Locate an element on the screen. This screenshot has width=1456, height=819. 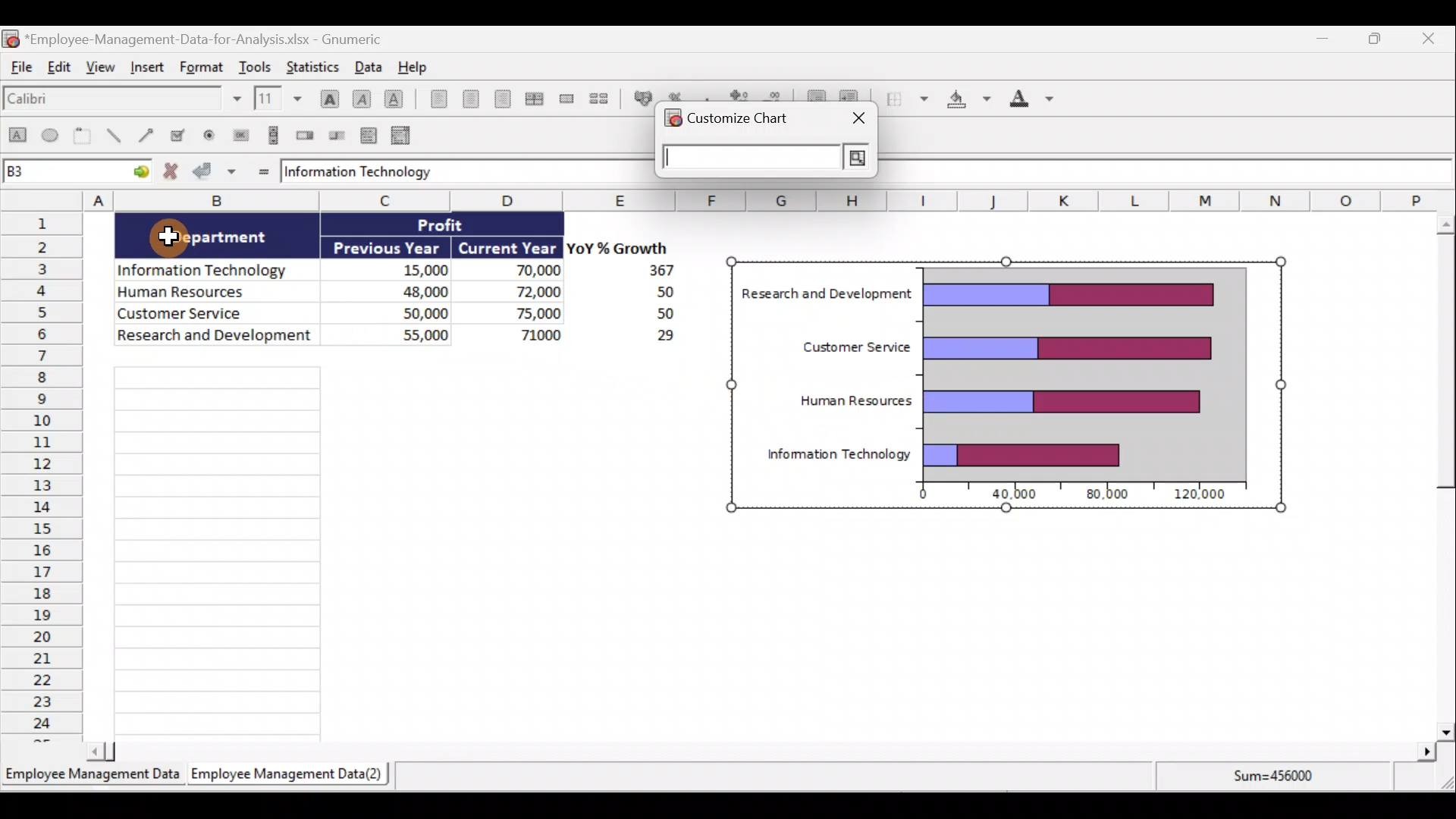
Data is located at coordinates (369, 65).